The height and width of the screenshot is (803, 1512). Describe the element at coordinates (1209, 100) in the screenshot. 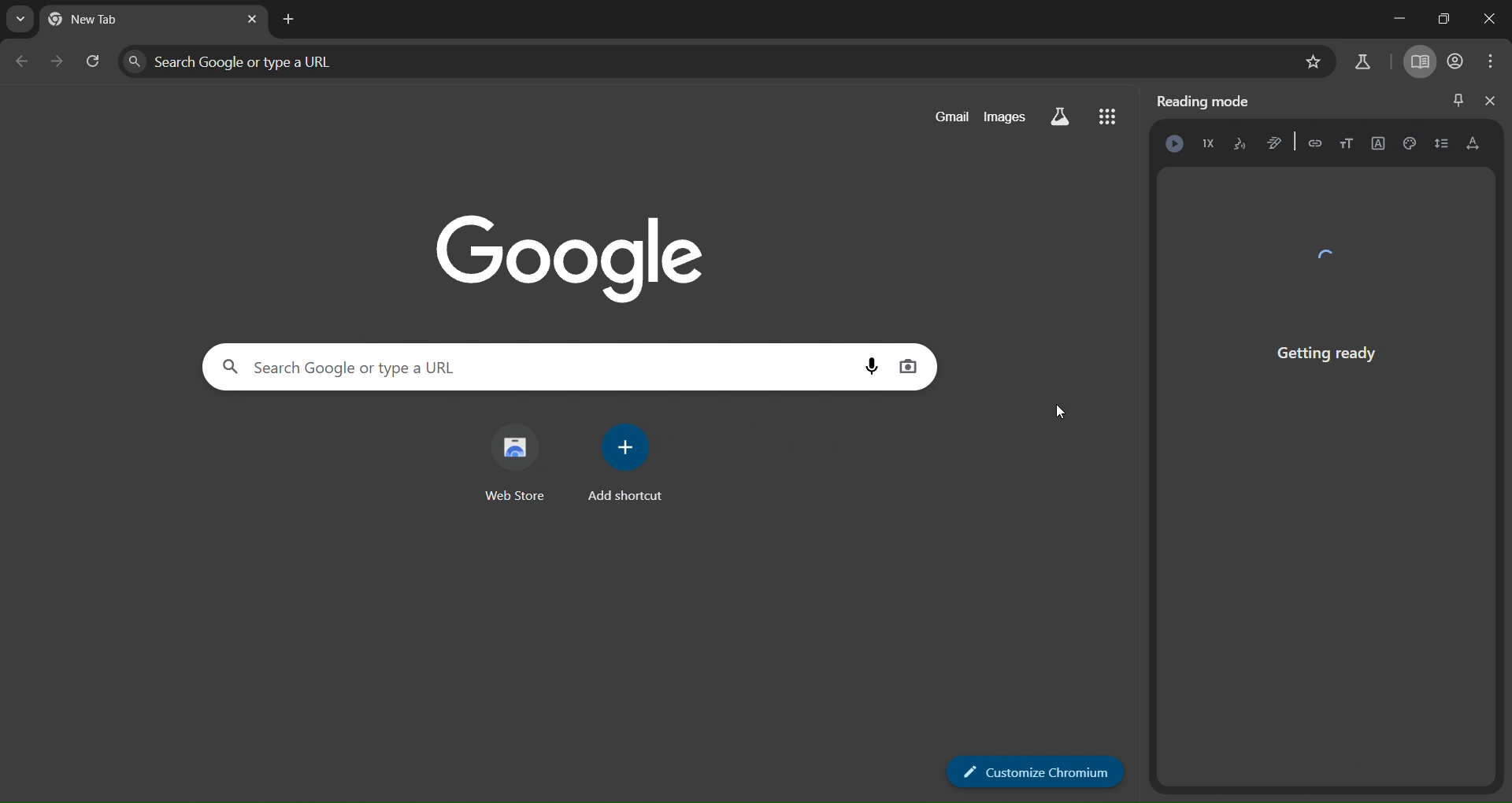

I see `Reading mode` at that location.